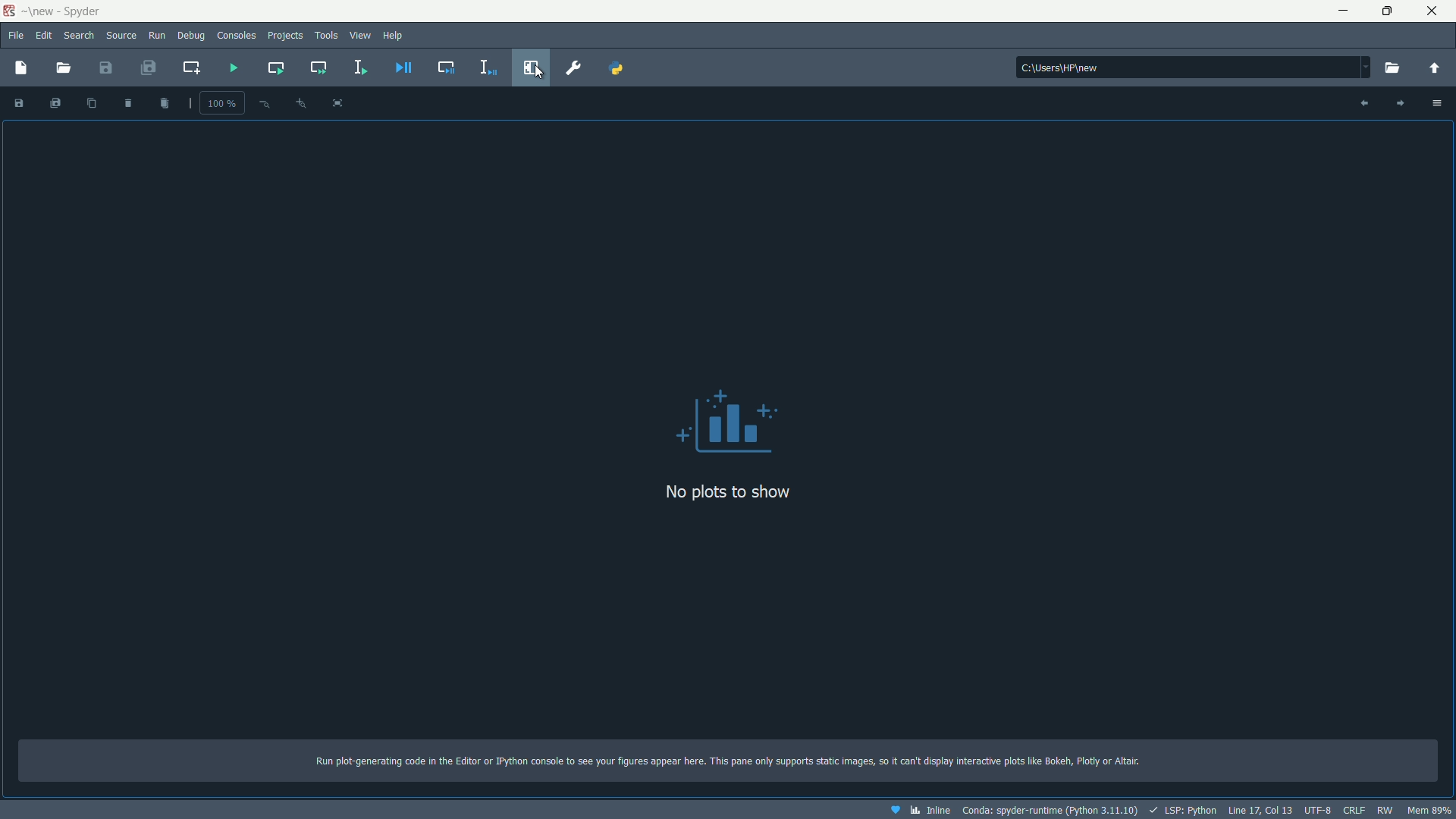 This screenshot has height=819, width=1456. What do you see at coordinates (1317, 811) in the screenshot?
I see `file encoding` at bounding box center [1317, 811].